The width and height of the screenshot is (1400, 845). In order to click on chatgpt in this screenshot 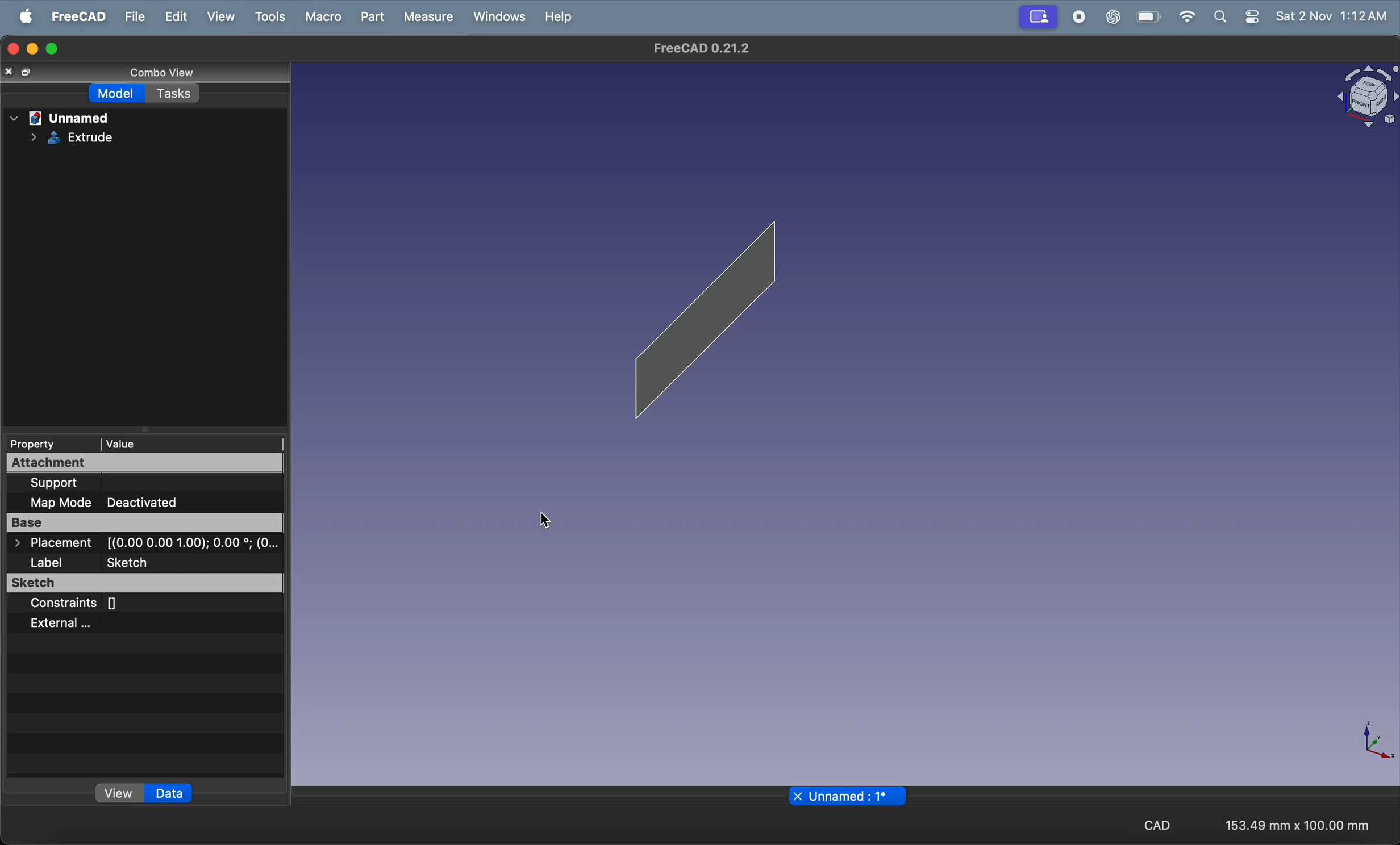, I will do `click(1112, 17)`.